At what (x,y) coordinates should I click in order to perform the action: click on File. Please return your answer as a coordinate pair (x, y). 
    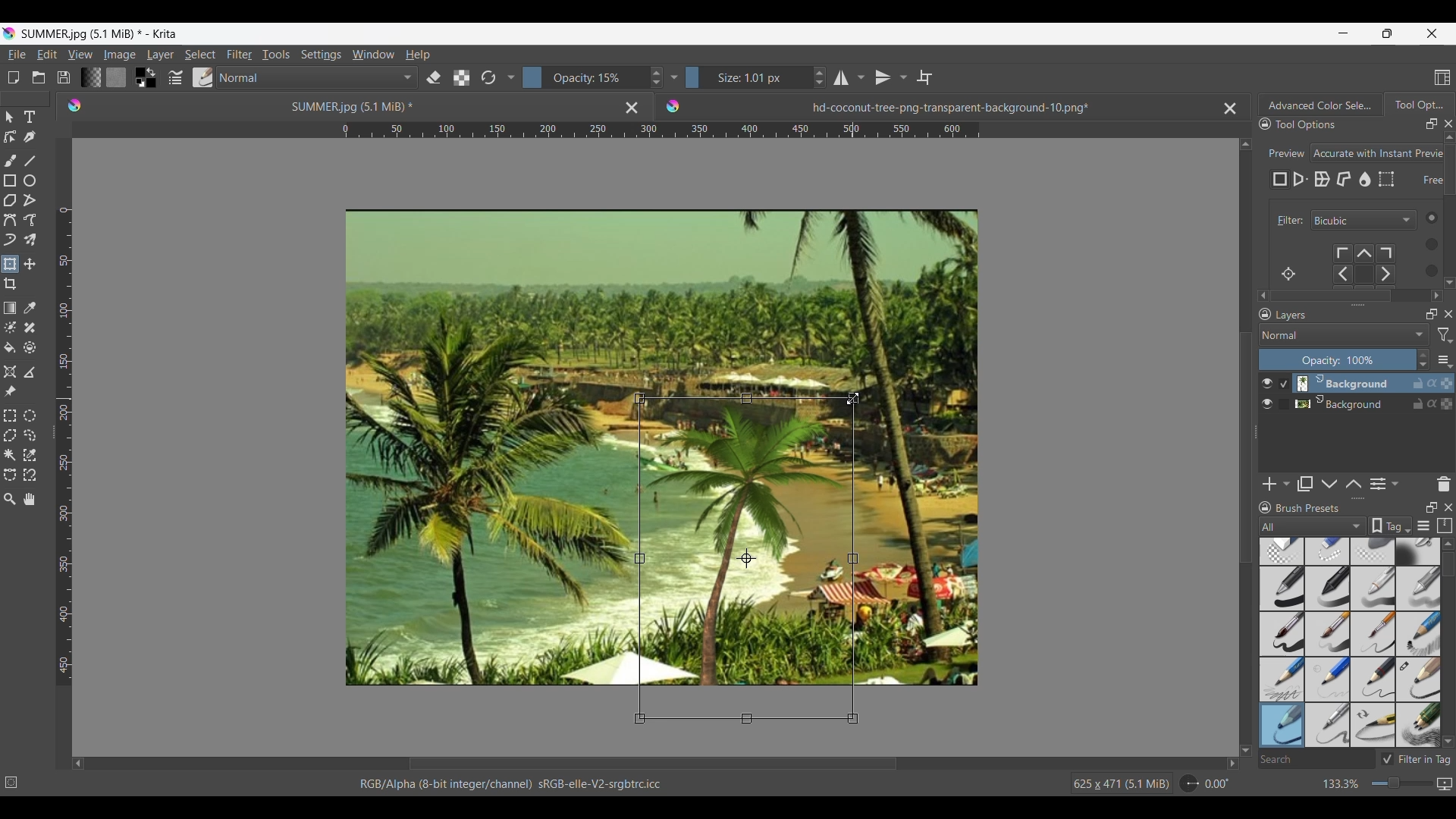
    Looking at the image, I should click on (16, 55).